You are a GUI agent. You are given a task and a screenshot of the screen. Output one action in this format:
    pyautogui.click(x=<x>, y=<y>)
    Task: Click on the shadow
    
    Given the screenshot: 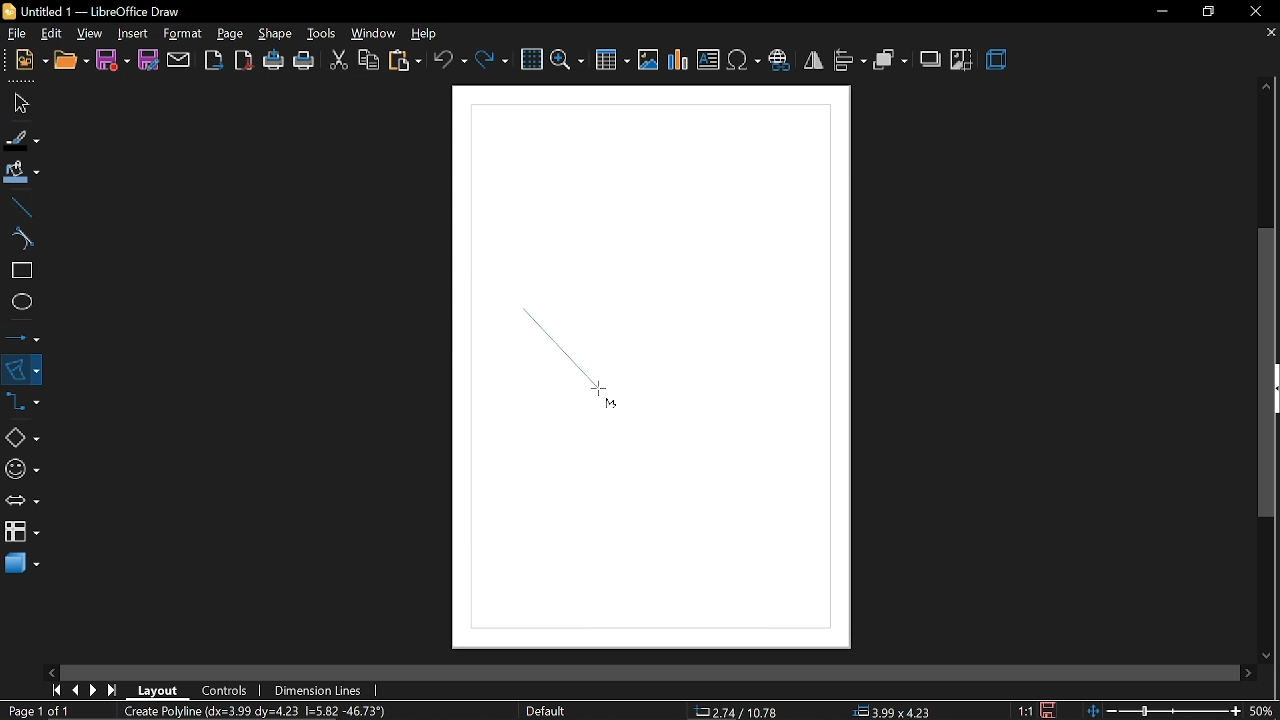 What is the action you would take?
    pyautogui.click(x=932, y=58)
    